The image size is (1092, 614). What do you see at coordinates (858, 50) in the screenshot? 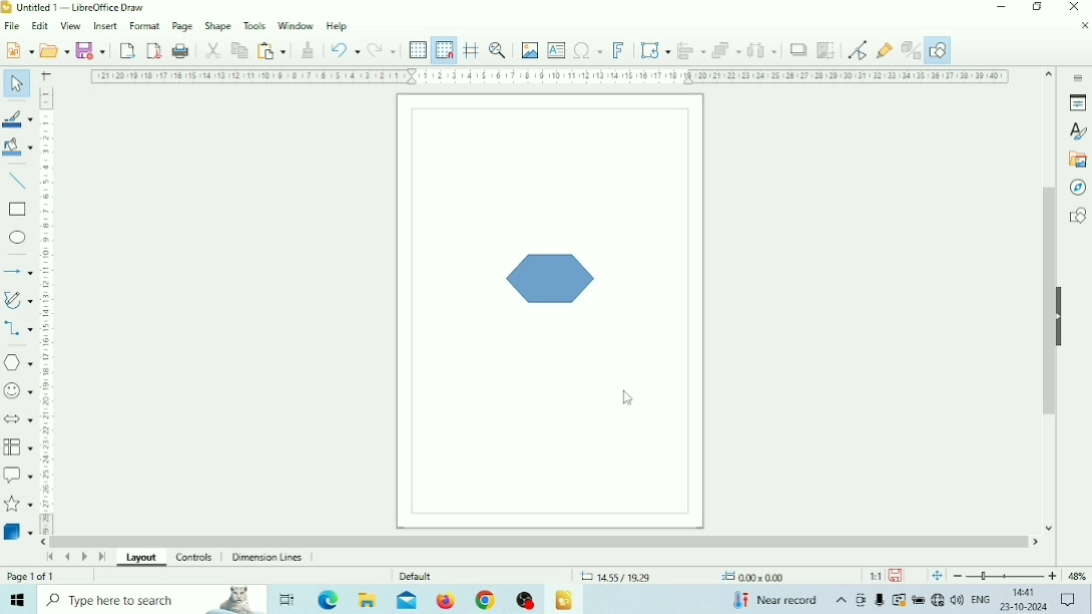
I see `Toggle point edit mode` at bounding box center [858, 50].